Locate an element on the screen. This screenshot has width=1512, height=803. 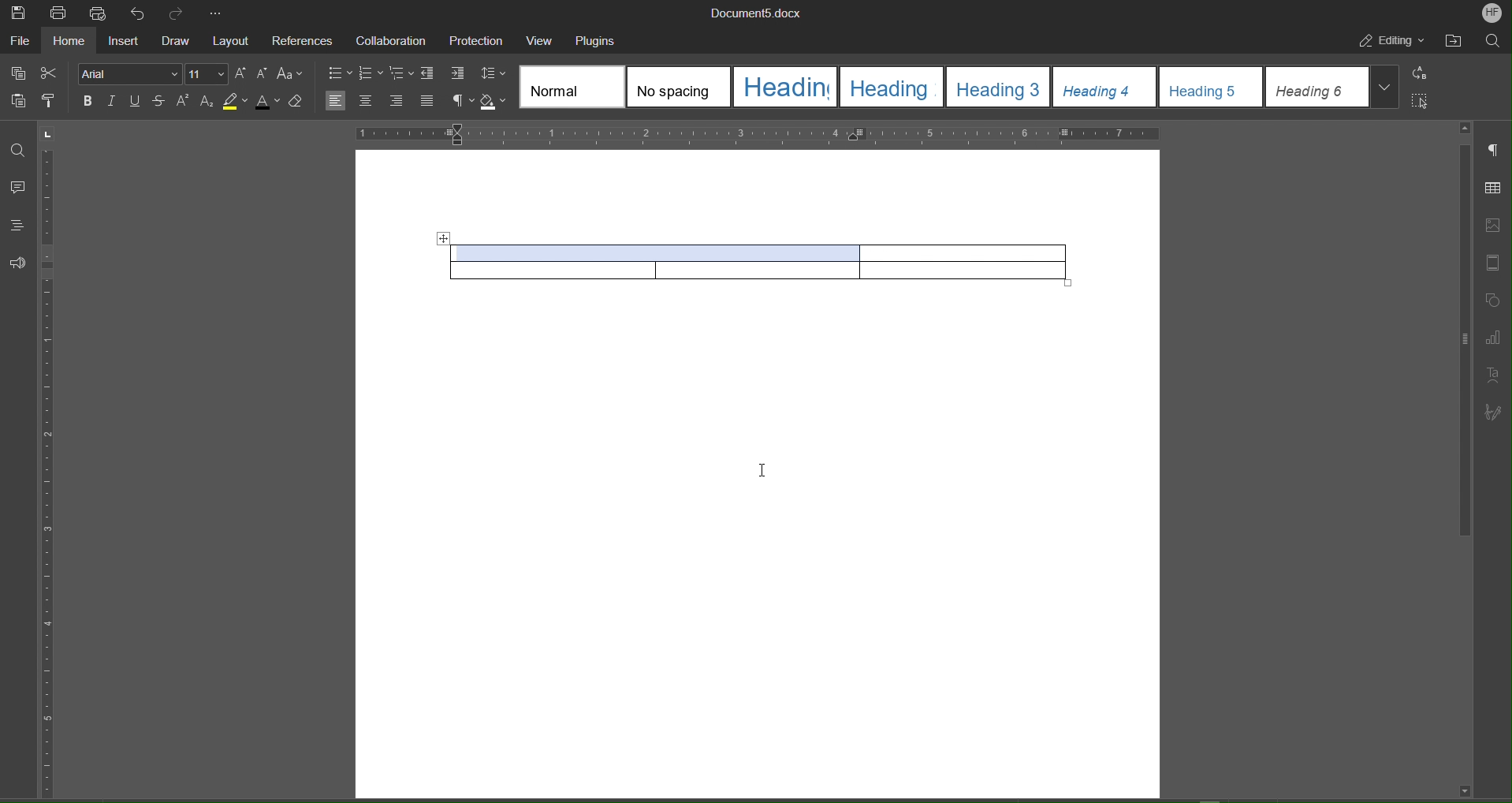
Erase Style is located at coordinates (298, 101).